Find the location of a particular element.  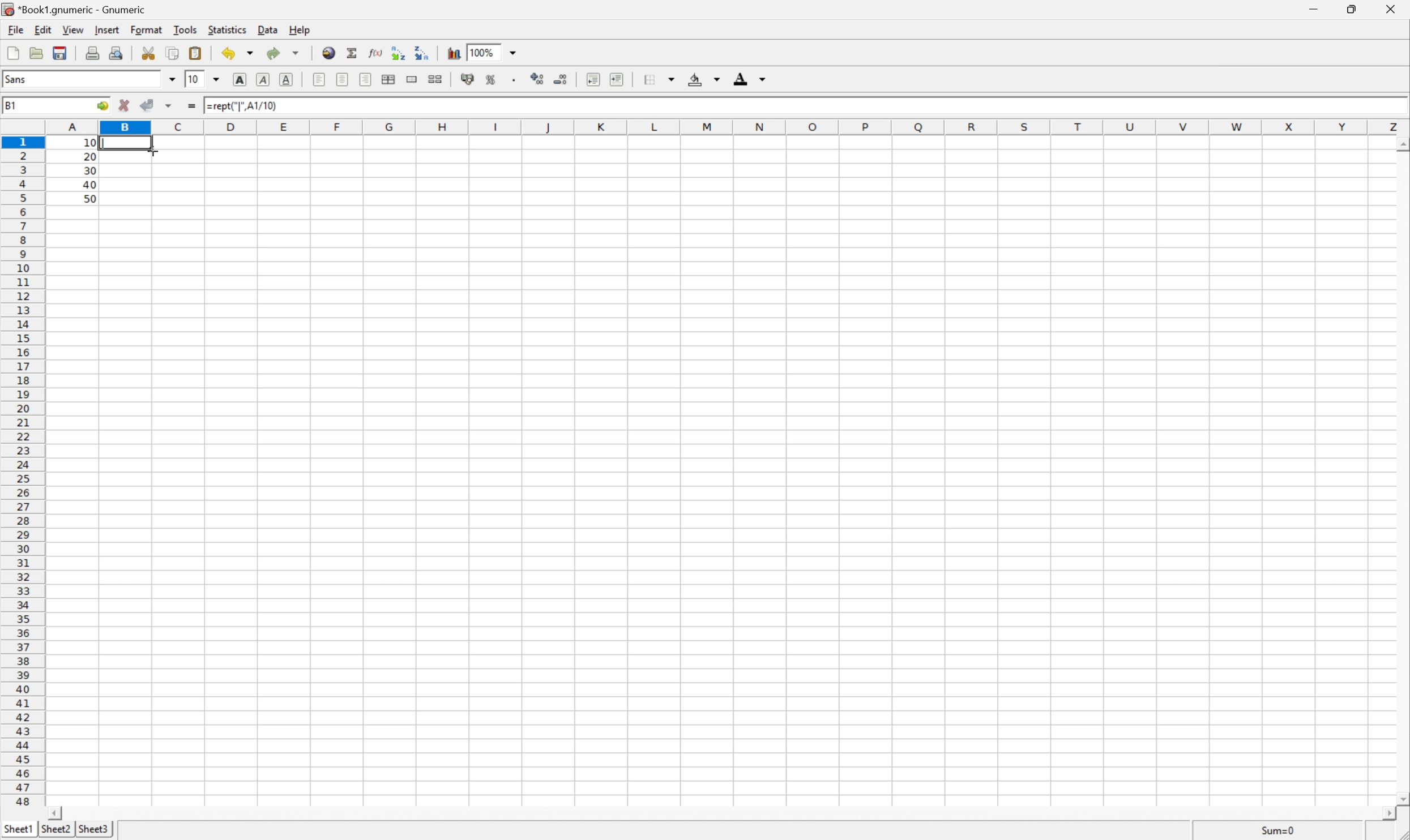

10 is located at coordinates (89, 143).